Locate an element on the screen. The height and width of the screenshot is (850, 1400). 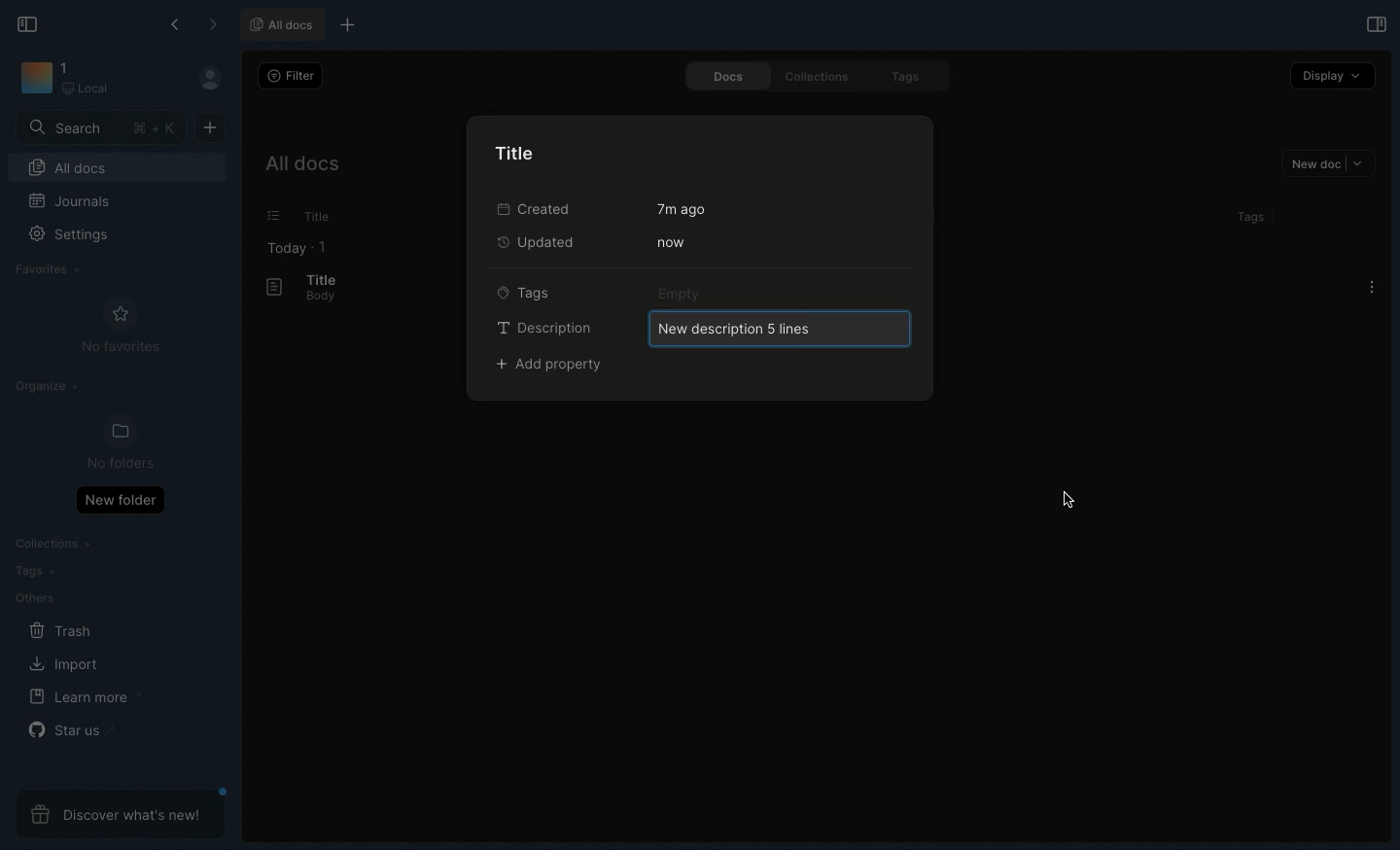
1 item is located at coordinates (323, 246).